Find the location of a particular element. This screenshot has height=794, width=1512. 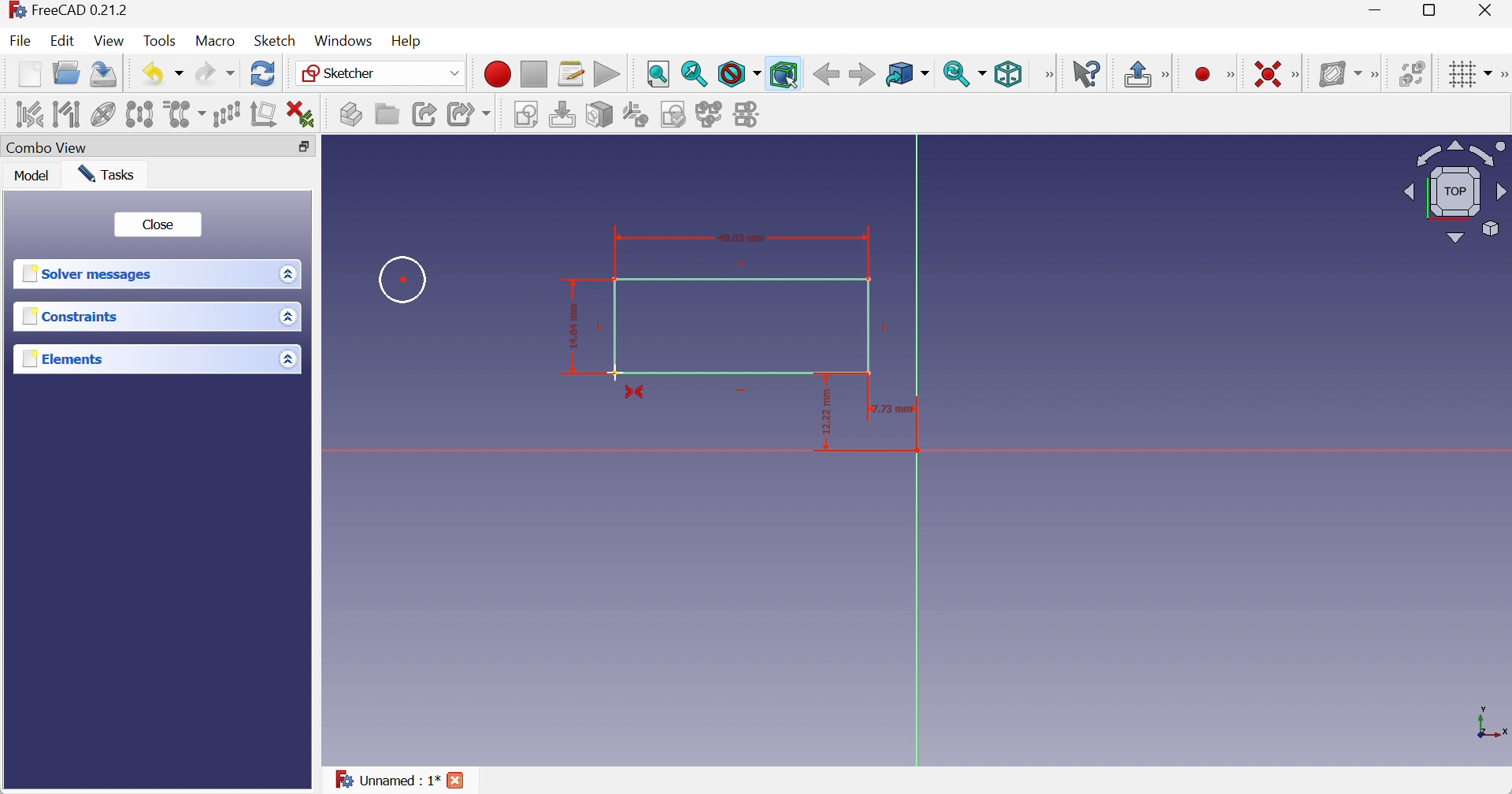

View is located at coordinates (109, 41).